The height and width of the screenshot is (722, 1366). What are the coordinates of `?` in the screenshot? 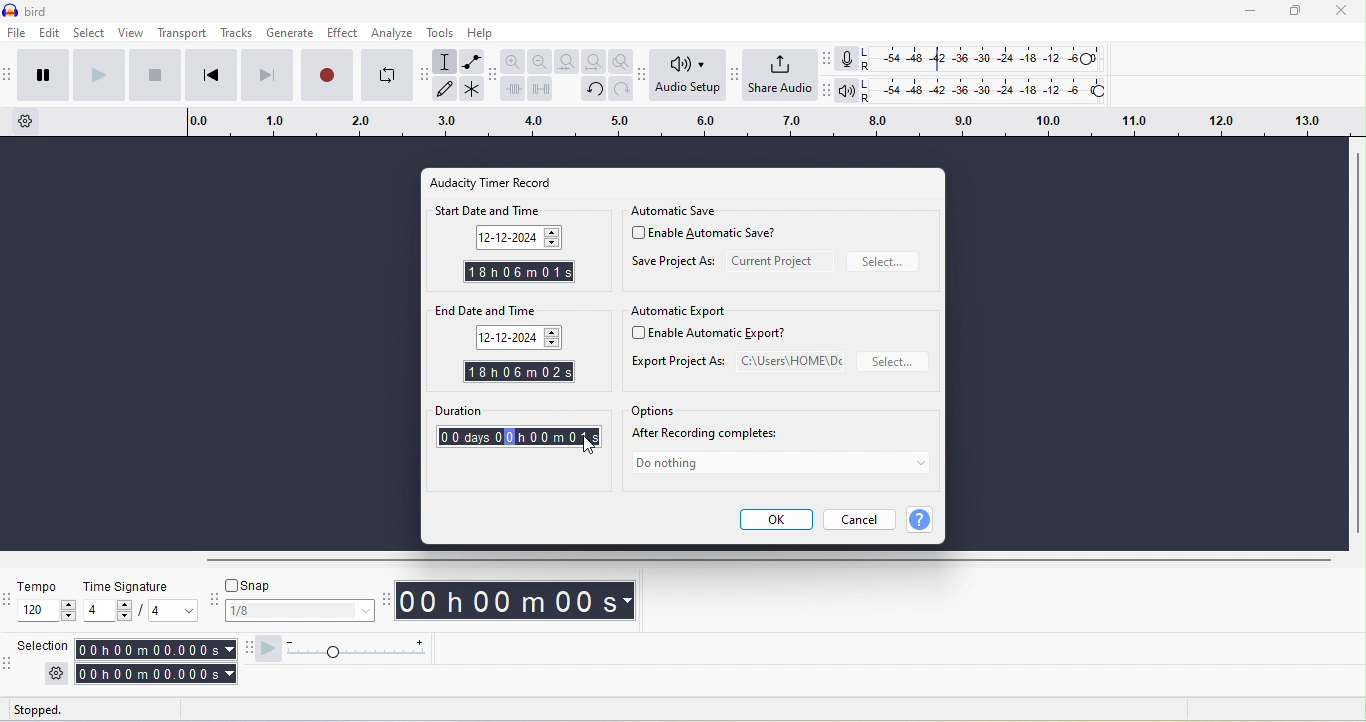 It's located at (928, 520).